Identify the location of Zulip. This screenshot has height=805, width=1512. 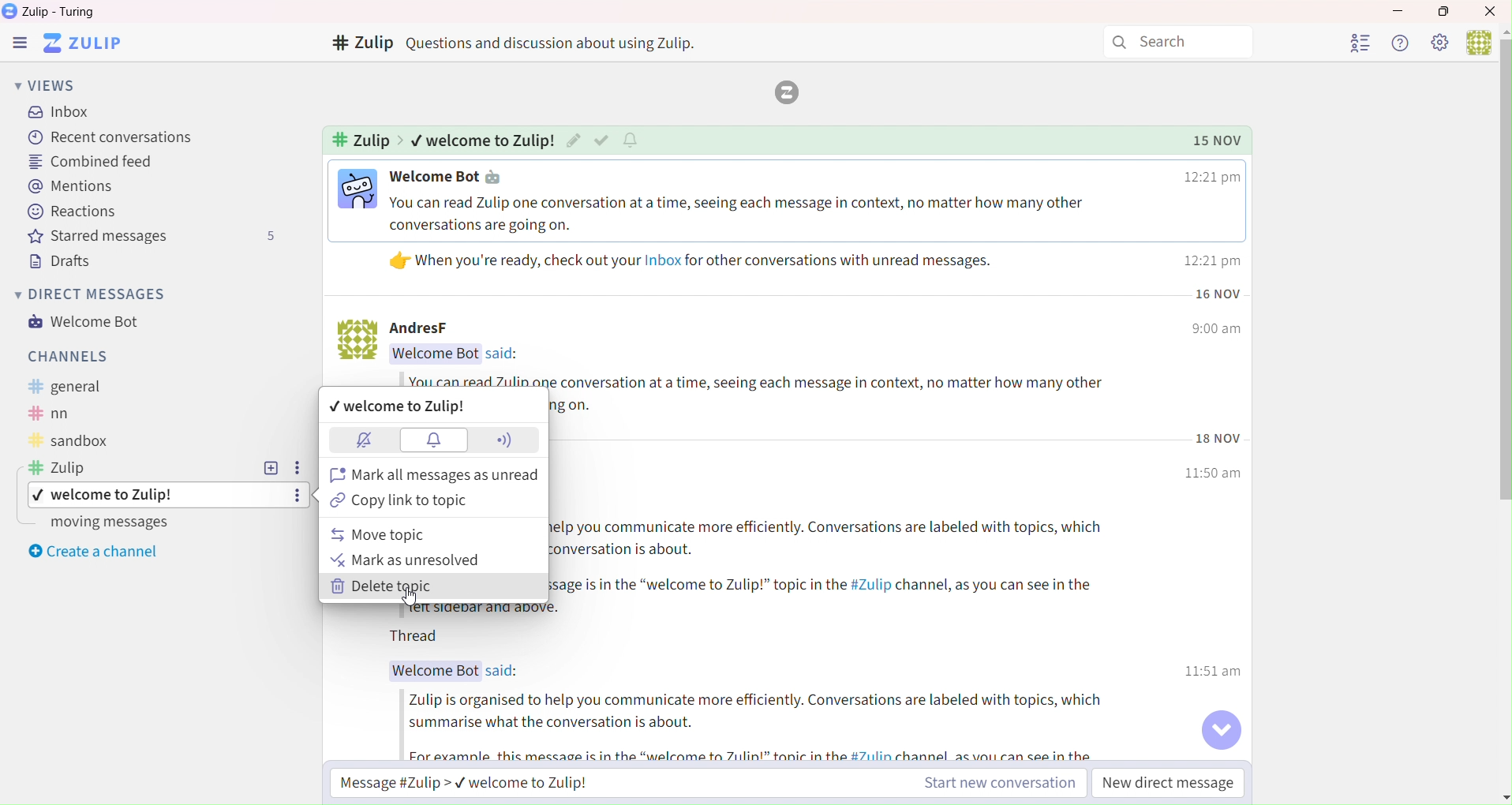
(16, 43).